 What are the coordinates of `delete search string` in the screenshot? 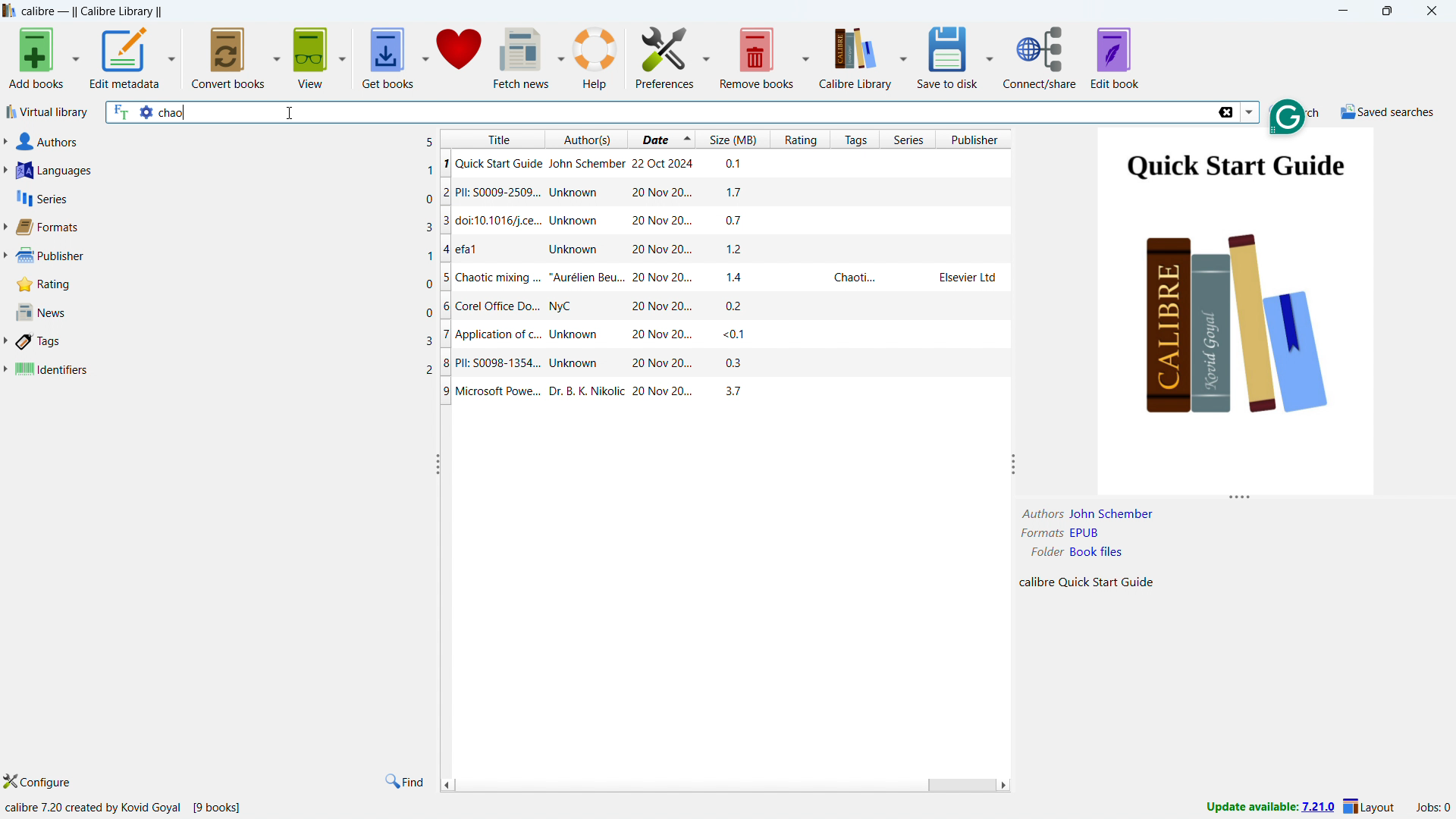 It's located at (1226, 111).